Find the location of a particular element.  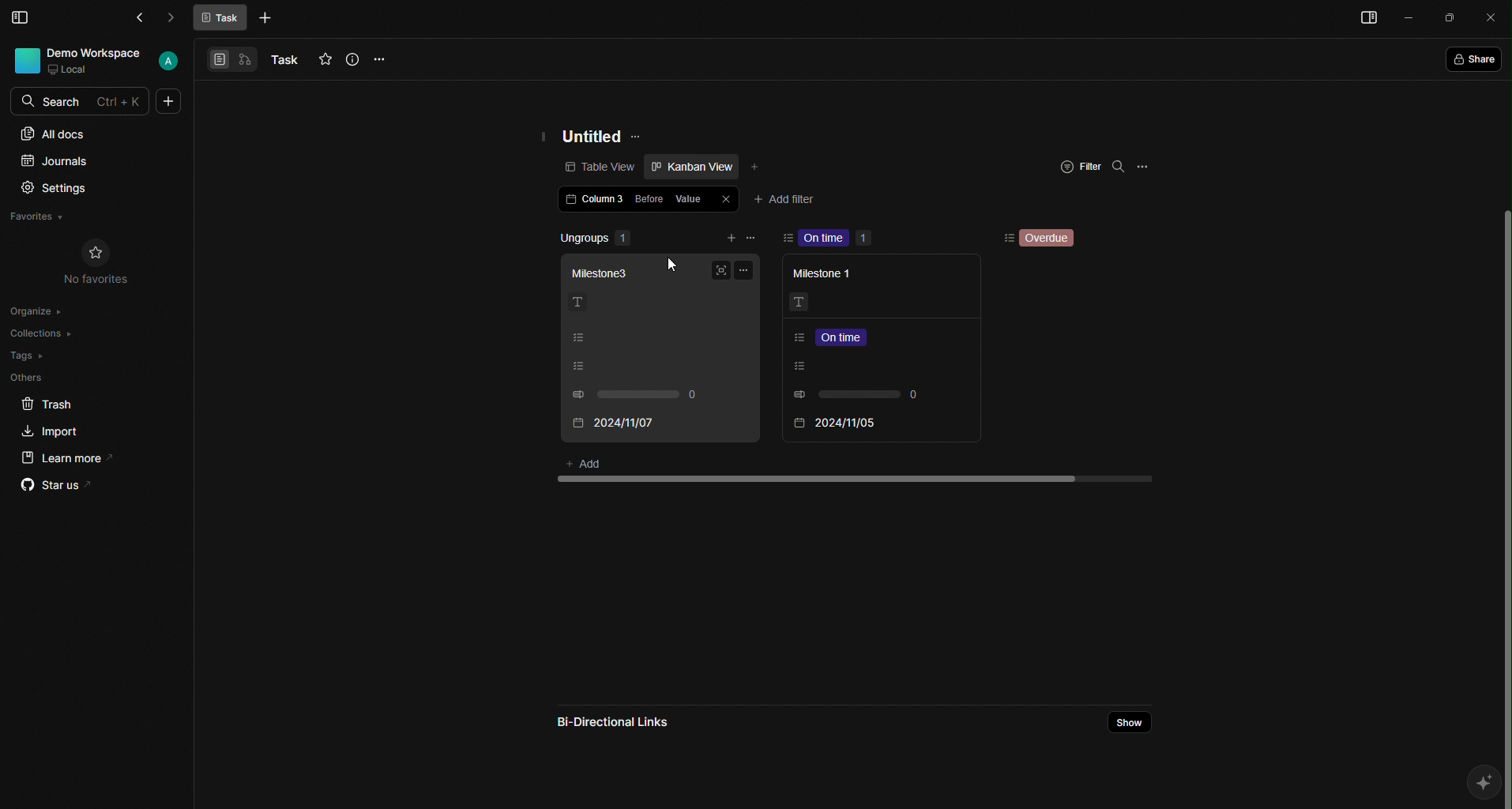

Listing is located at coordinates (588, 337).